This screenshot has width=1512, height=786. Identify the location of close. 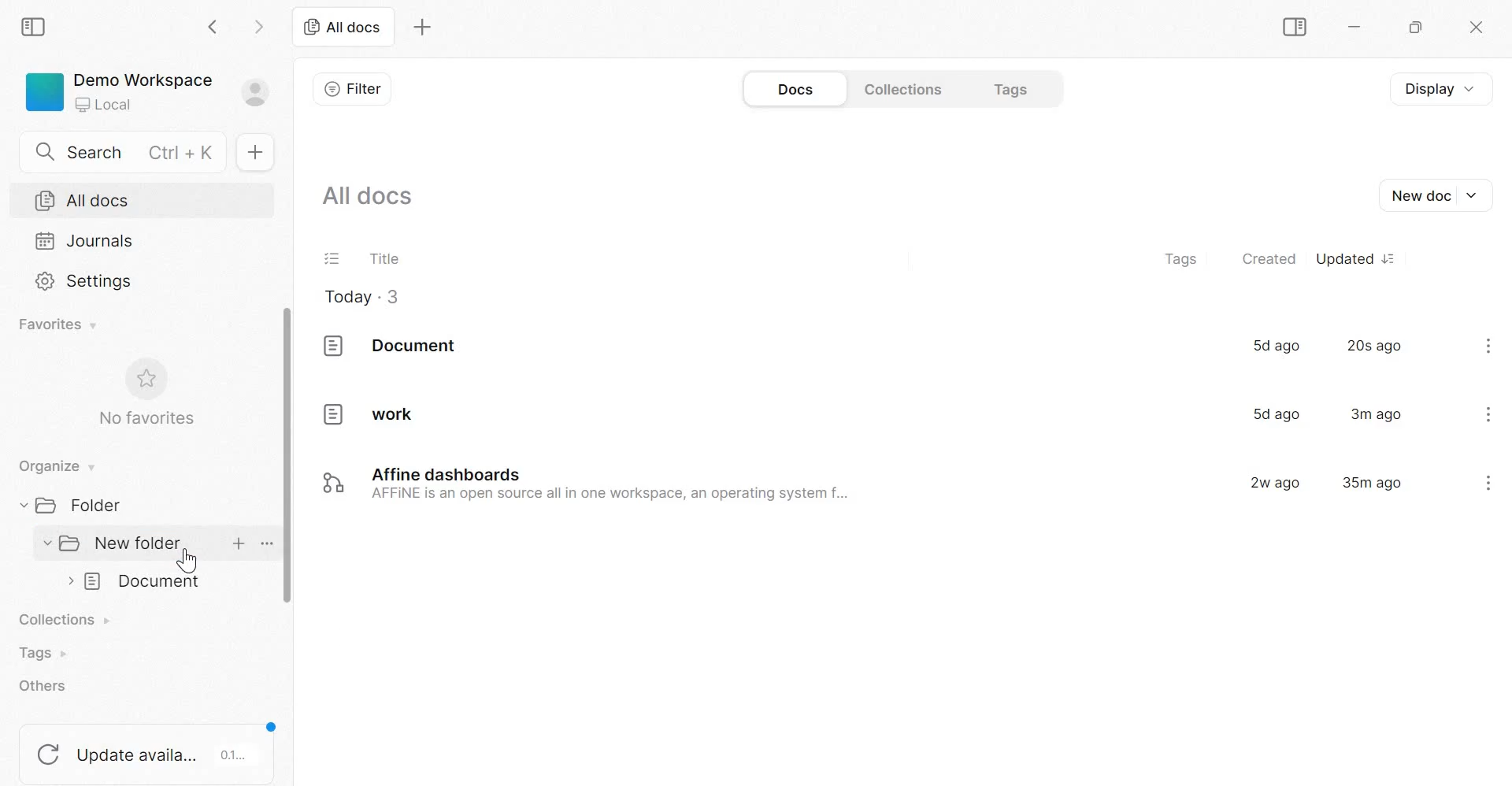
(1477, 28).